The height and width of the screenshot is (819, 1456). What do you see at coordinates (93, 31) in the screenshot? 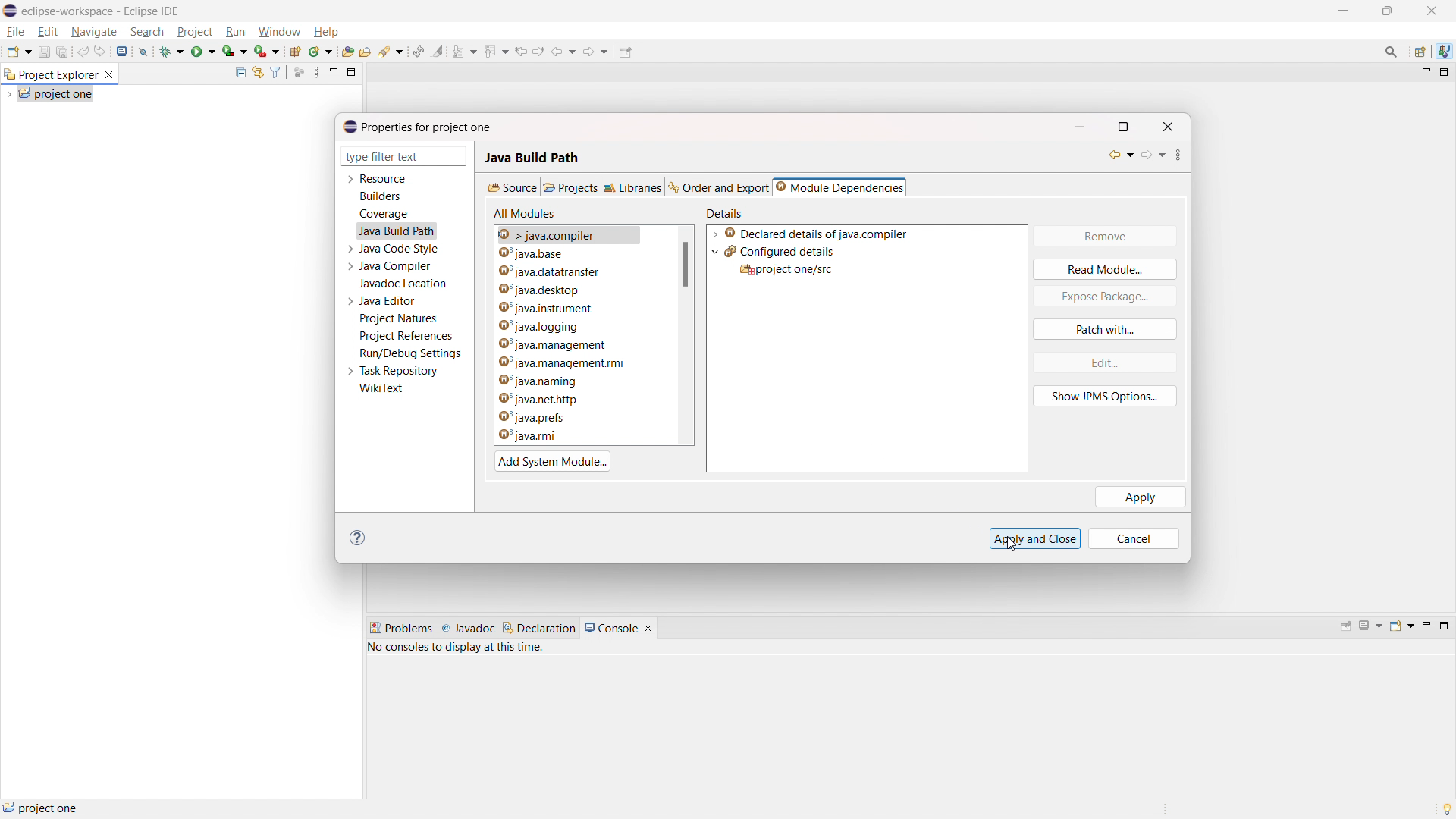
I see `navigate` at bounding box center [93, 31].